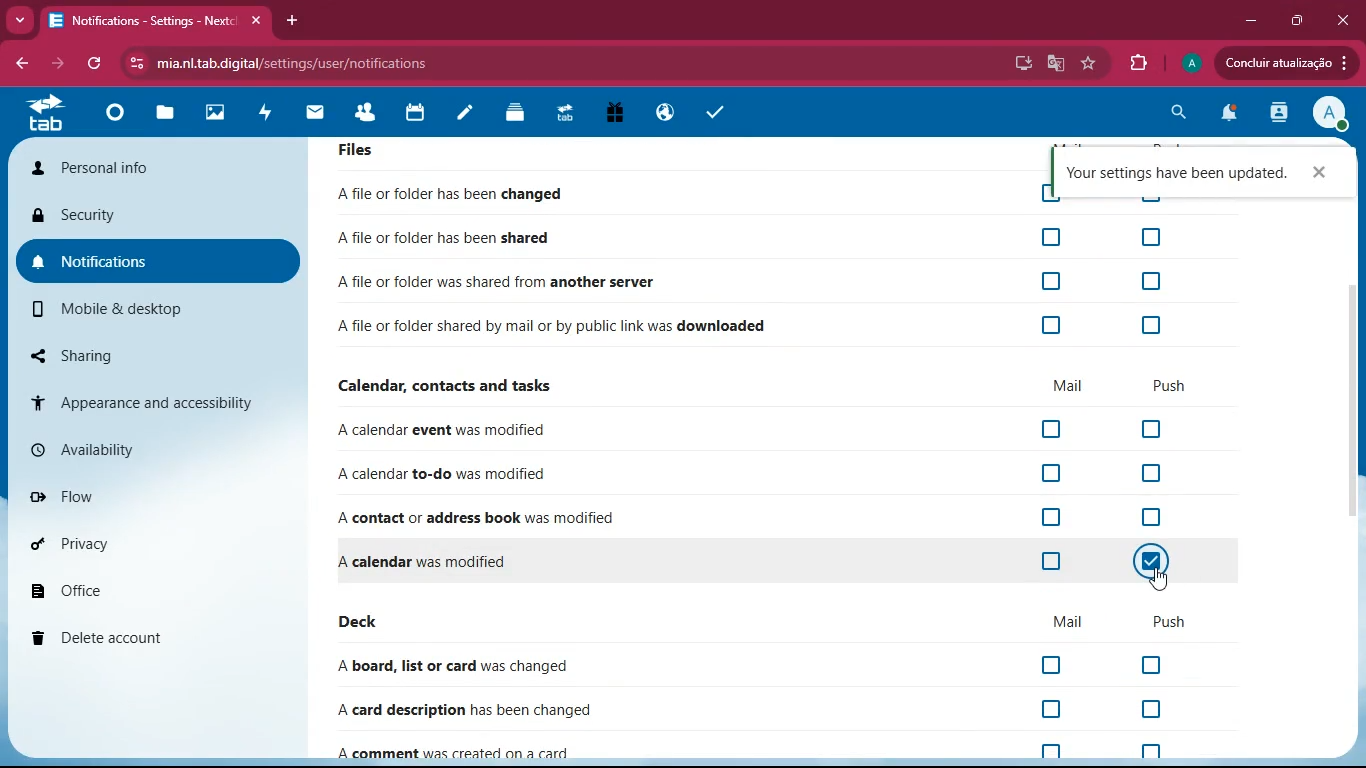  Describe the element at coordinates (669, 113) in the screenshot. I see `public` at that location.